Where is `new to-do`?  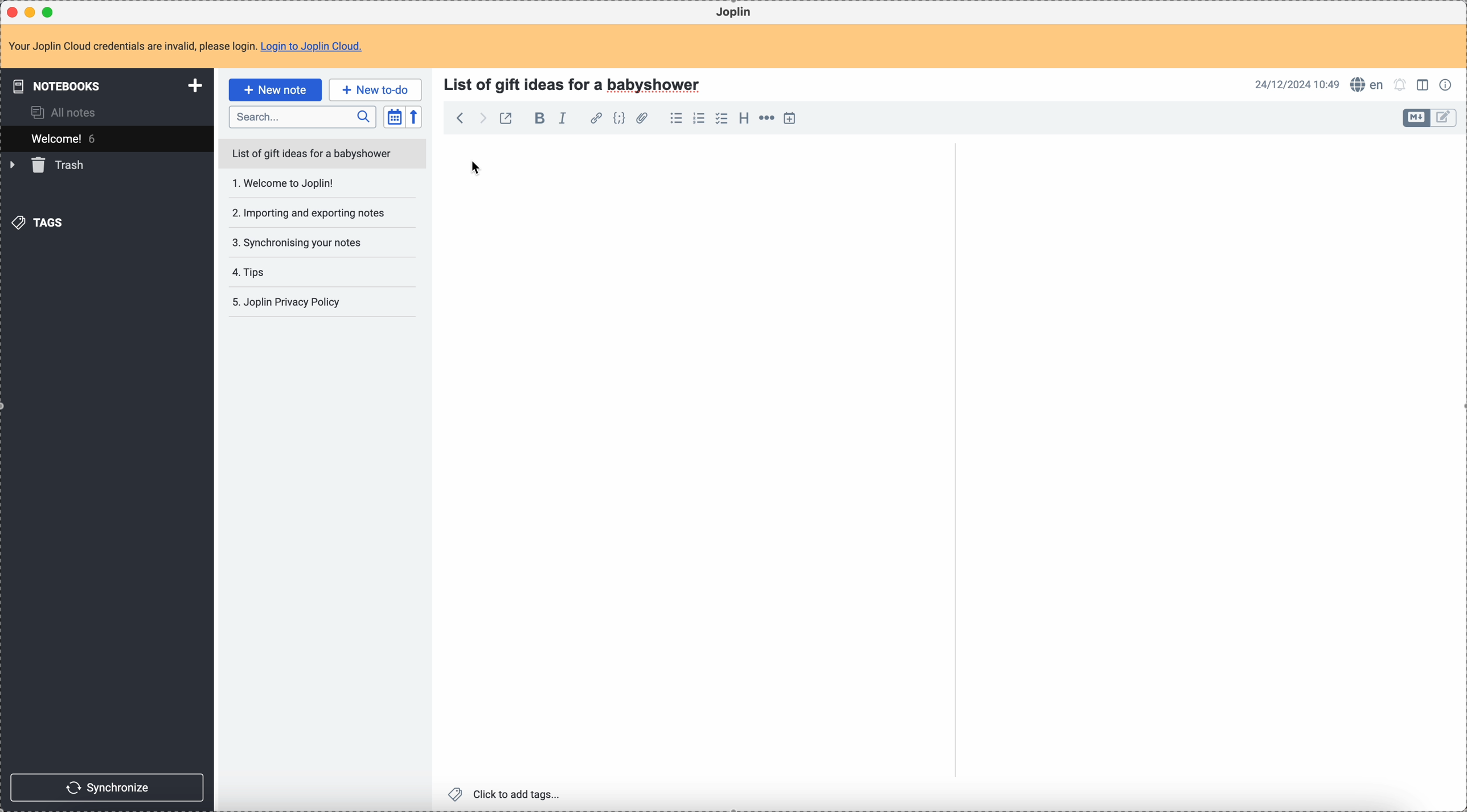 new to-do is located at coordinates (375, 89).